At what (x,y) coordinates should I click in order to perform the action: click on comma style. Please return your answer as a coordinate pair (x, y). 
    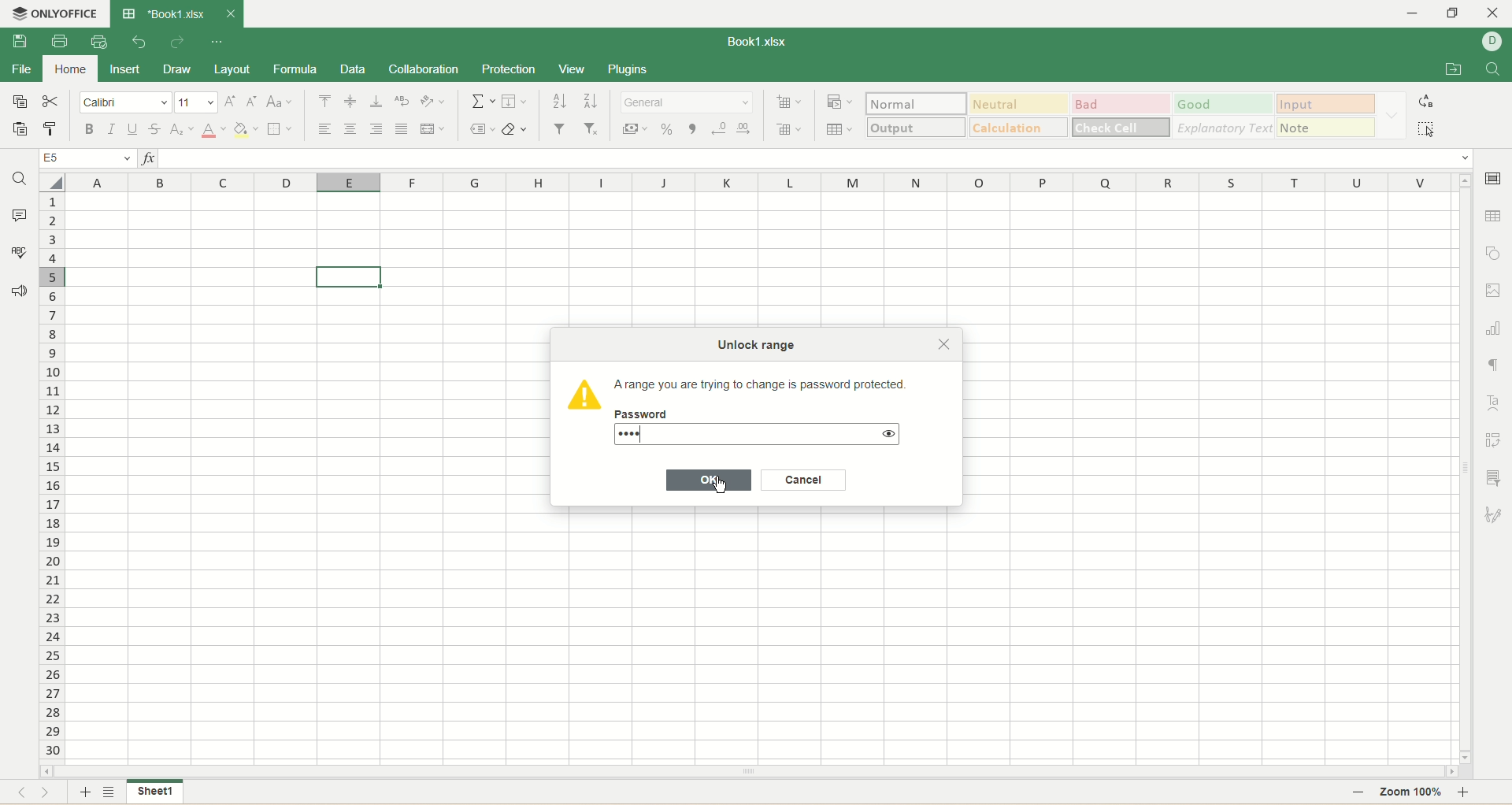
    Looking at the image, I should click on (689, 129).